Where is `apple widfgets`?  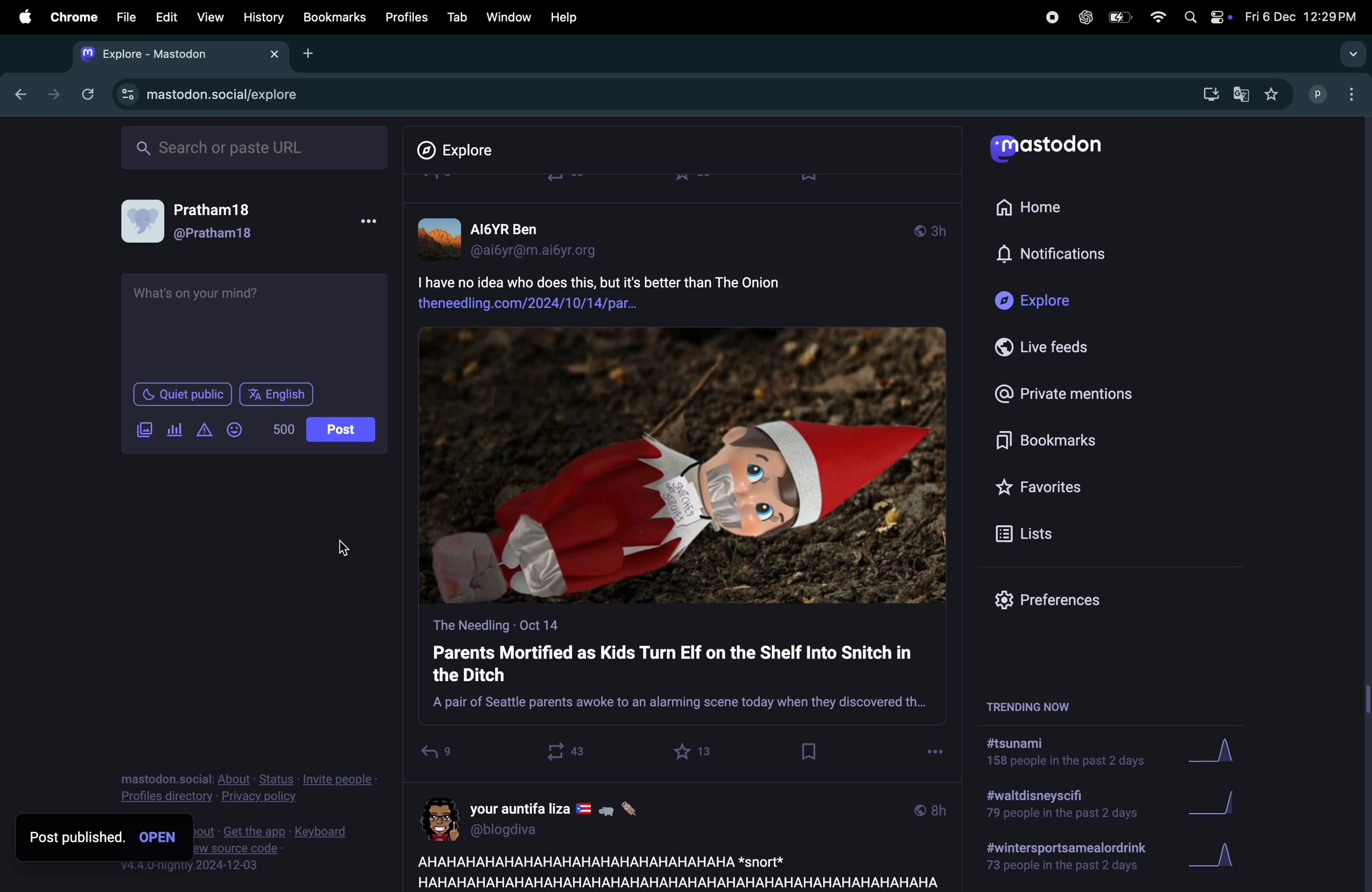 apple widfgets is located at coordinates (1205, 14).